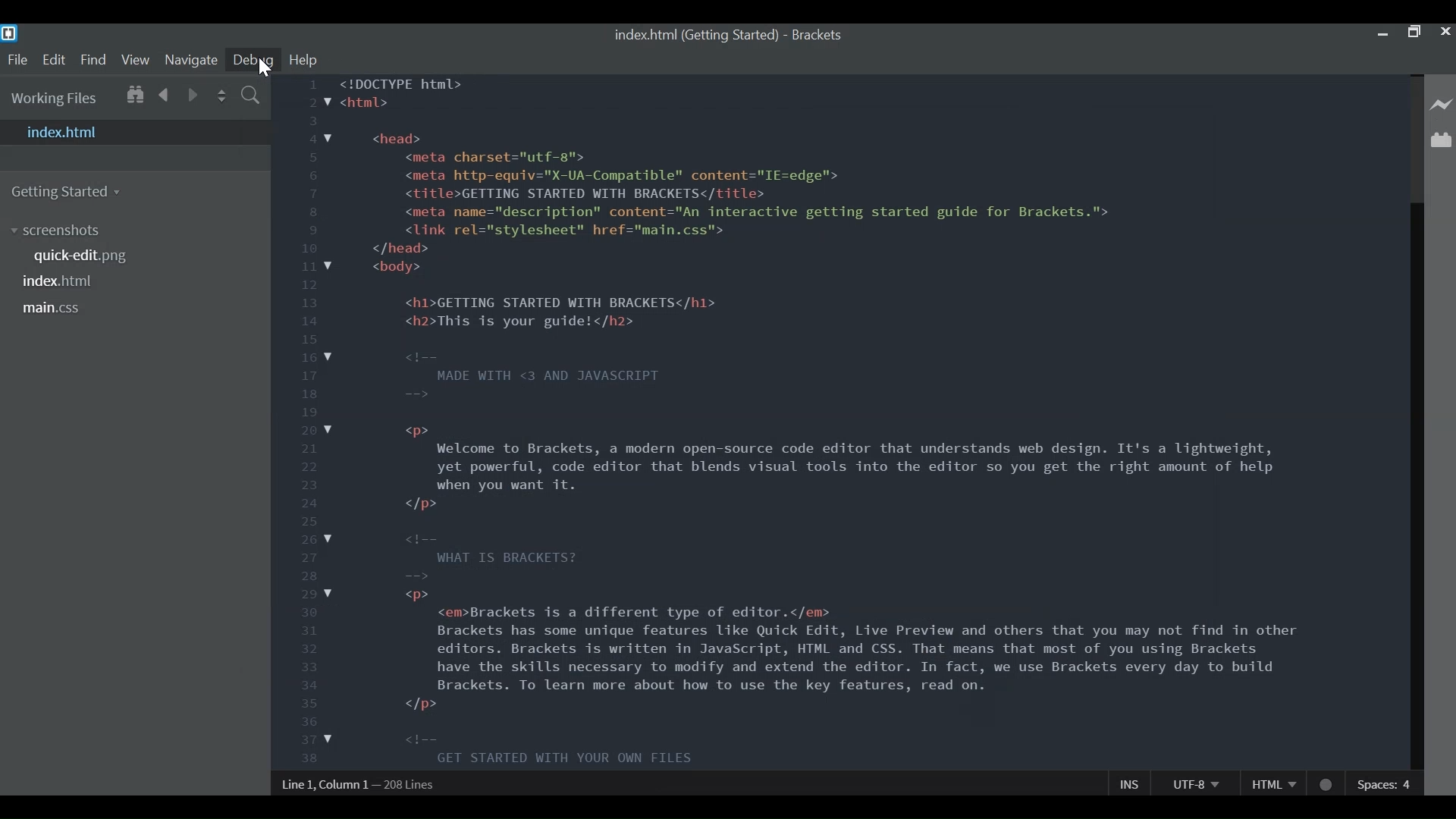 This screenshot has height=819, width=1456. Describe the element at coordinates (1326, 783) in the screenshot. I see `No Linter Available for HTML` at that location.